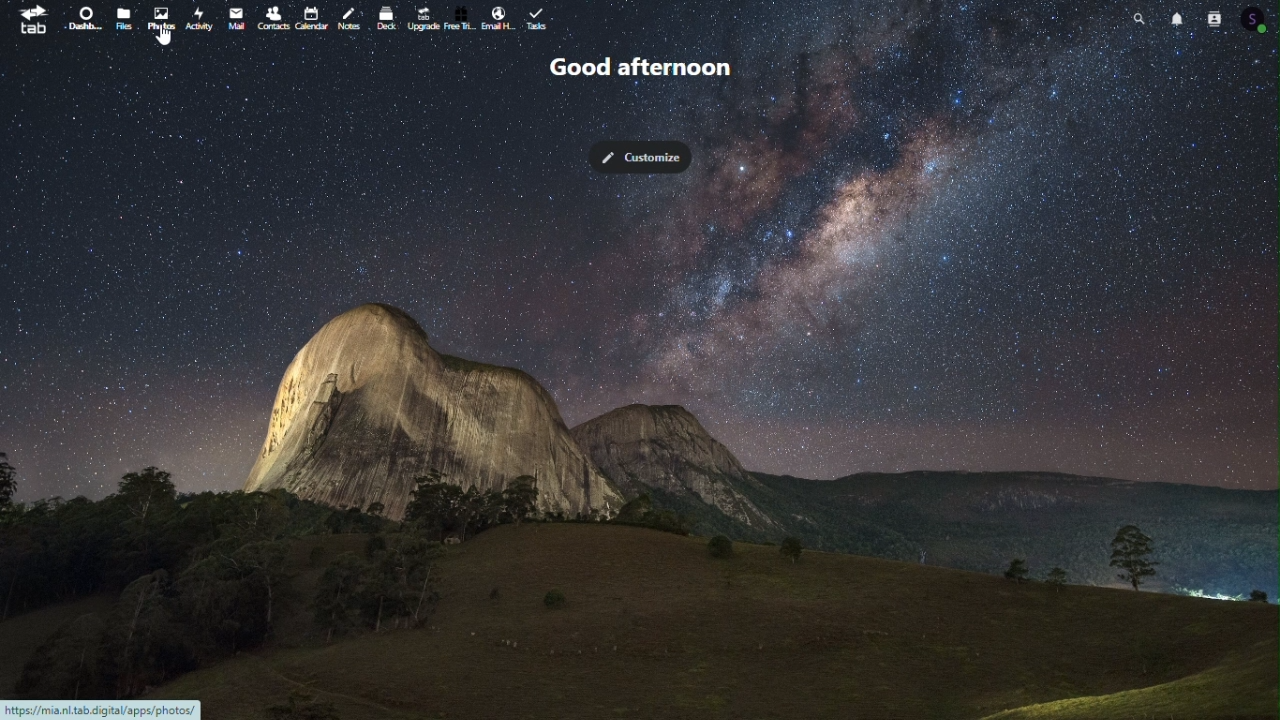 The image size is (1280, 720). What do you see at coordinates (26, 22) in the screenshot?
I see `tab` at bounding box center [26, 22].